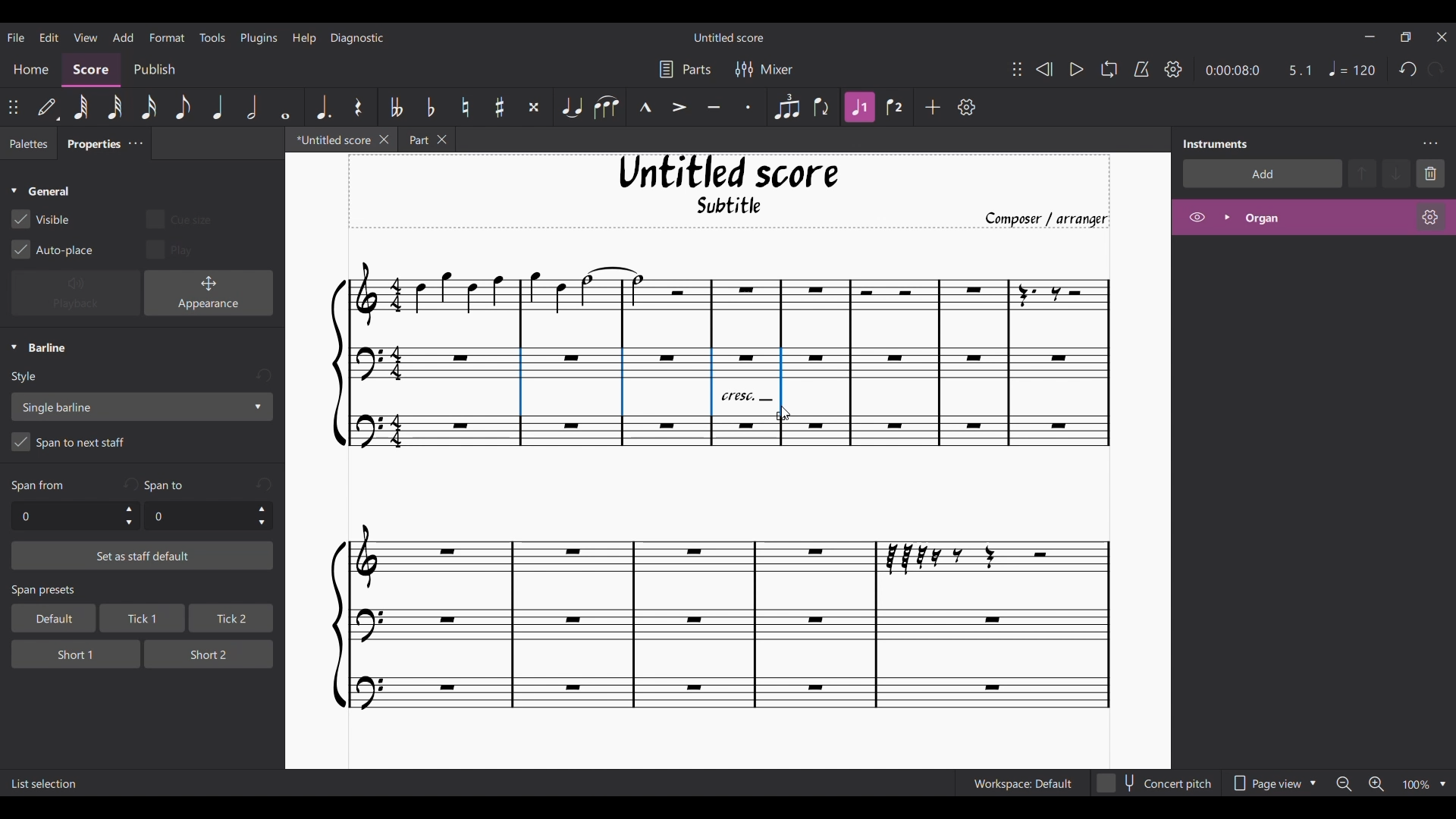 The image size is (1456, 819). What do you see at coordinates (140, 620) in the screenshot?
I see `tick 1` at bounding box center [140, 620].